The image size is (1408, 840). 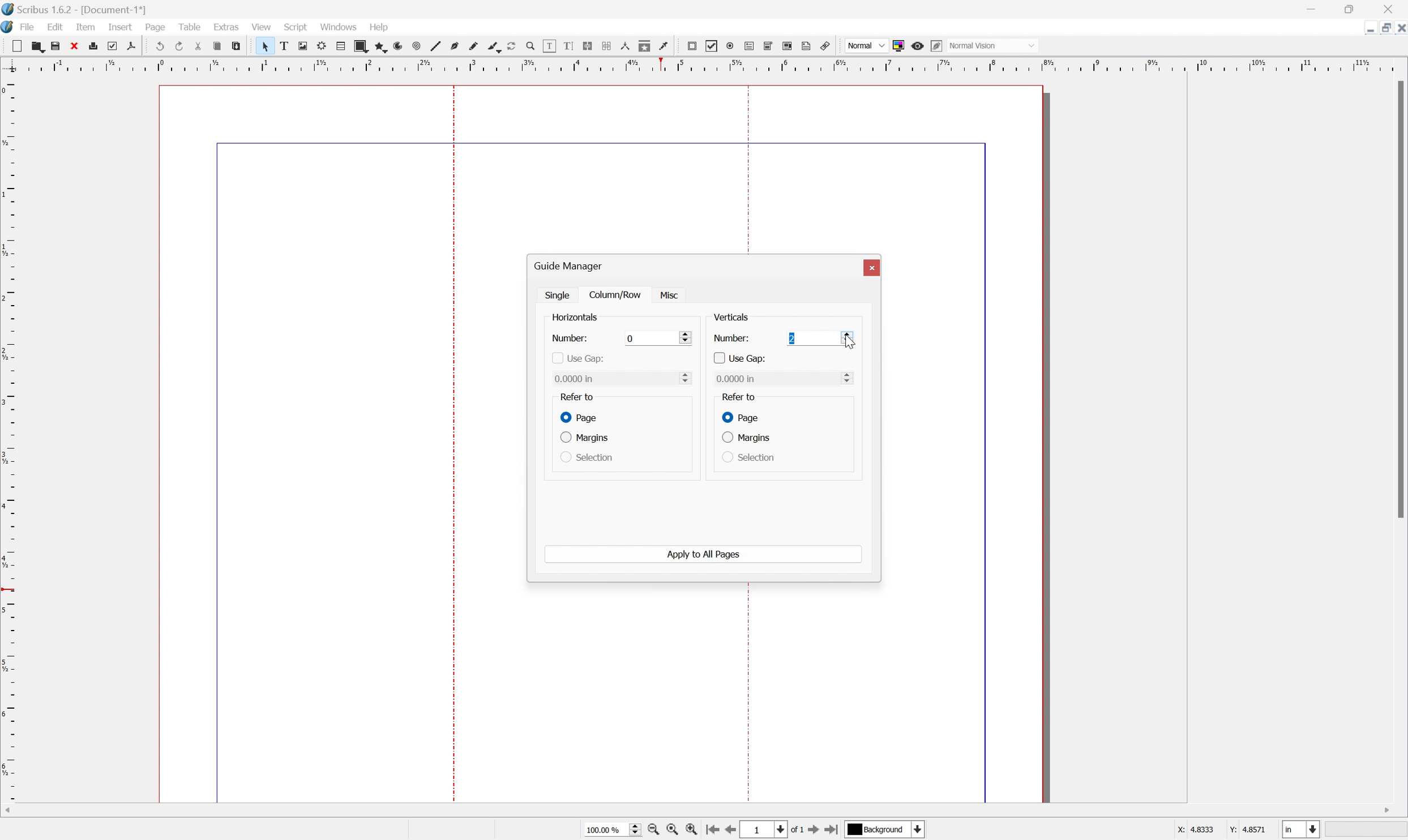 What do you see at coordinates (379, 27) in the screenshot?
I see `help` at bounding box center [379, 27].